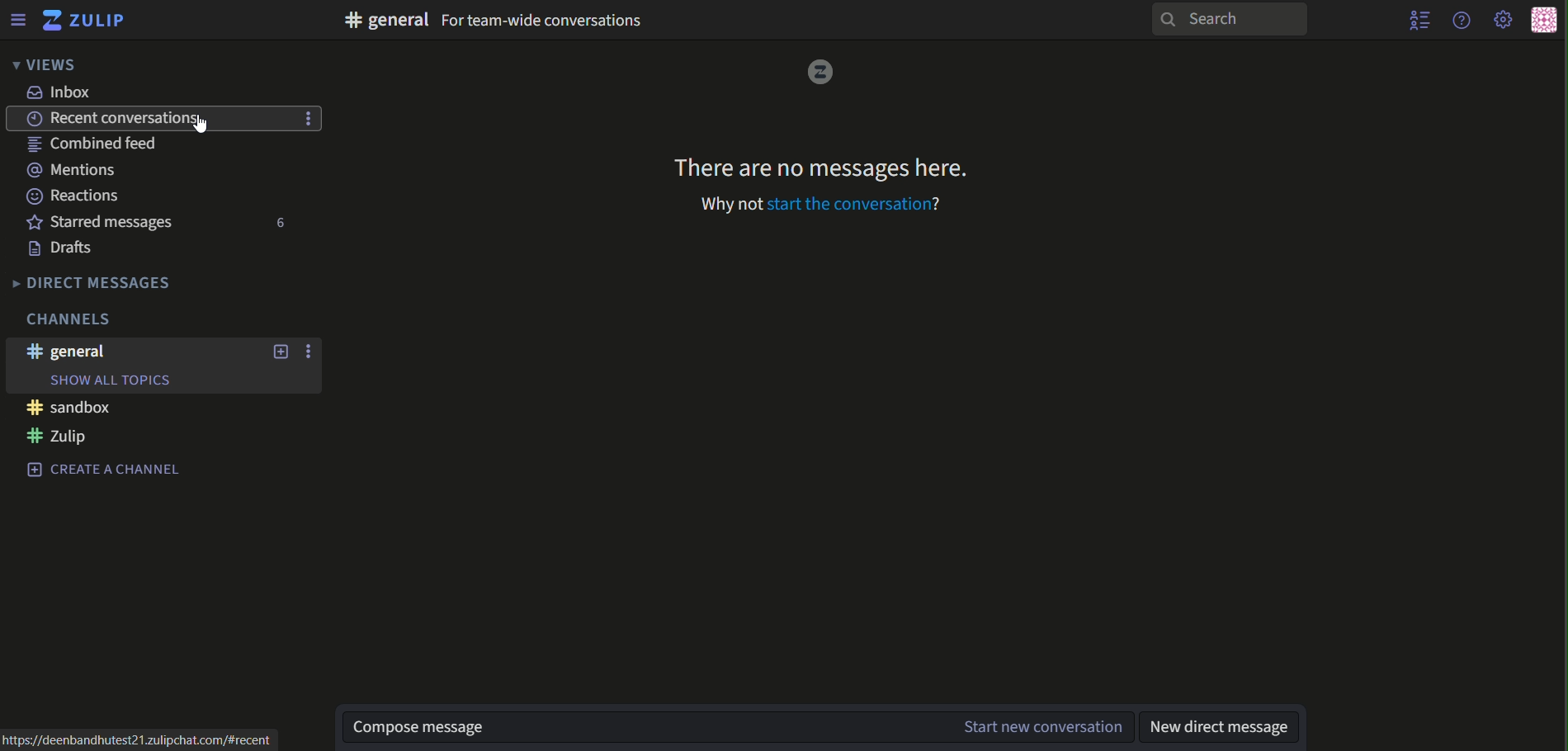 The image size is (1568, 751). Describe the element at coordinates (1460, 19) in the screenshot. I see `help menu` at that location.